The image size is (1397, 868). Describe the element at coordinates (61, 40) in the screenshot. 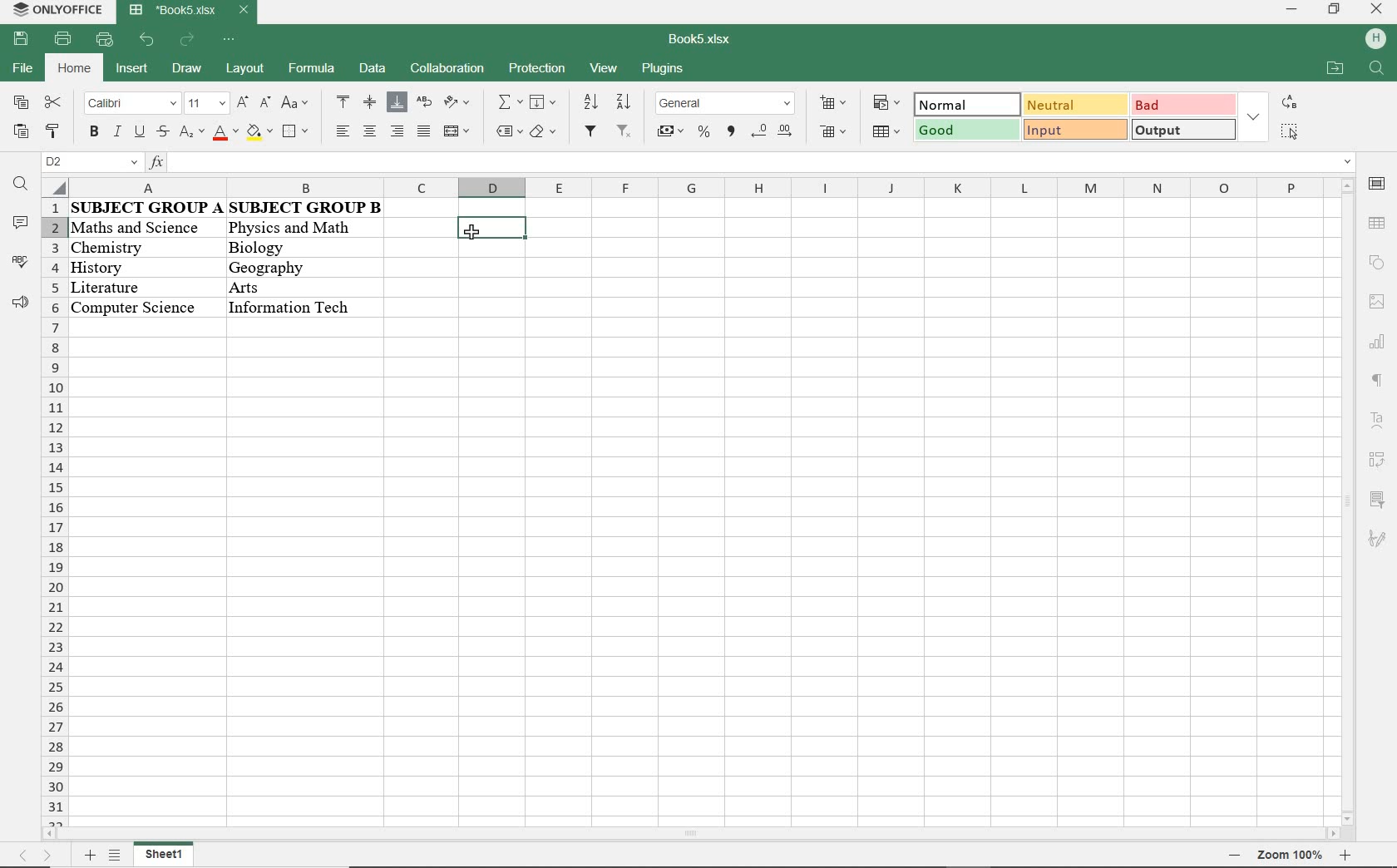

I see `print` at that location.